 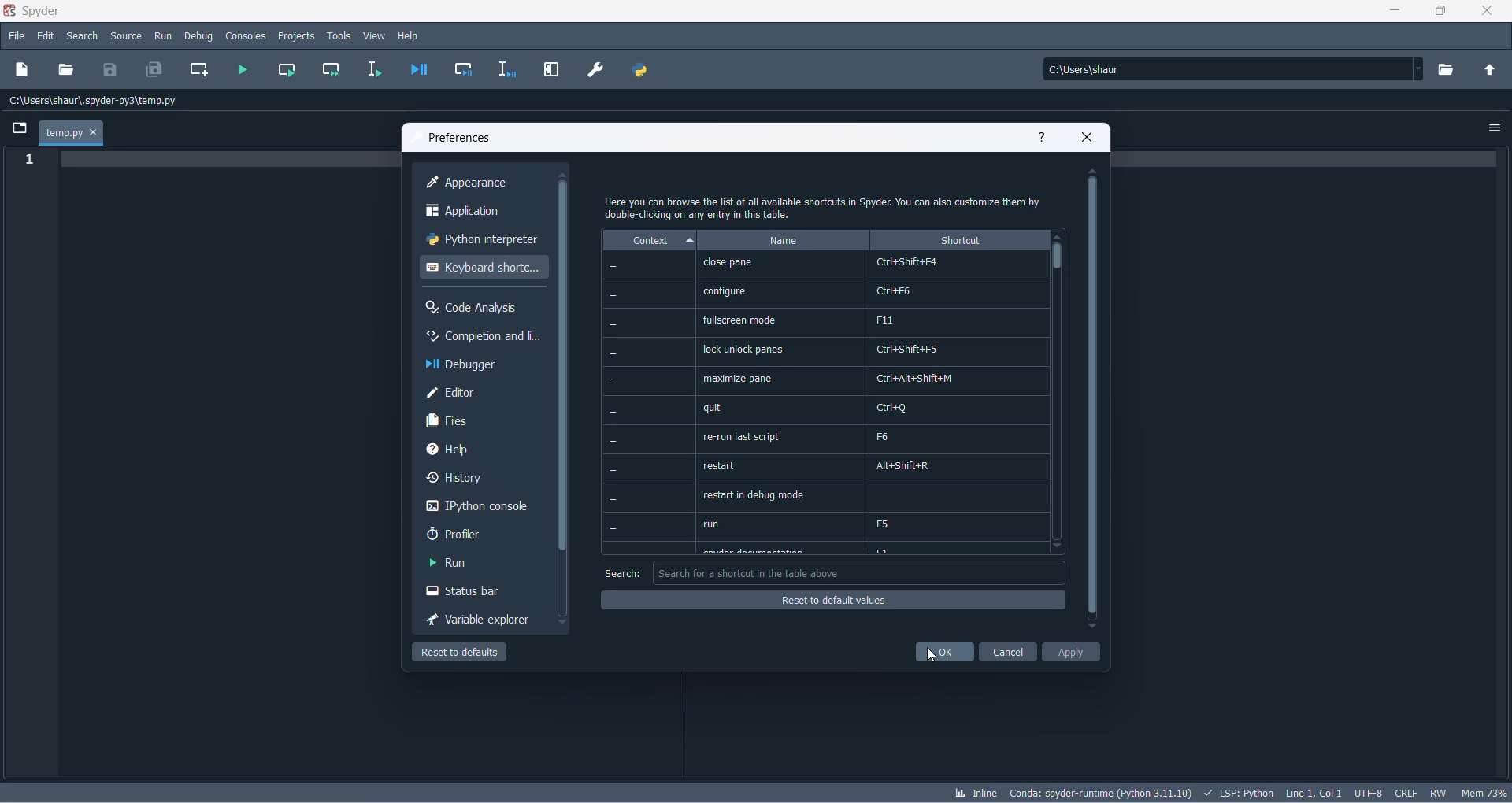 I want to click on maximize current pane, so click(x=552, y=70).